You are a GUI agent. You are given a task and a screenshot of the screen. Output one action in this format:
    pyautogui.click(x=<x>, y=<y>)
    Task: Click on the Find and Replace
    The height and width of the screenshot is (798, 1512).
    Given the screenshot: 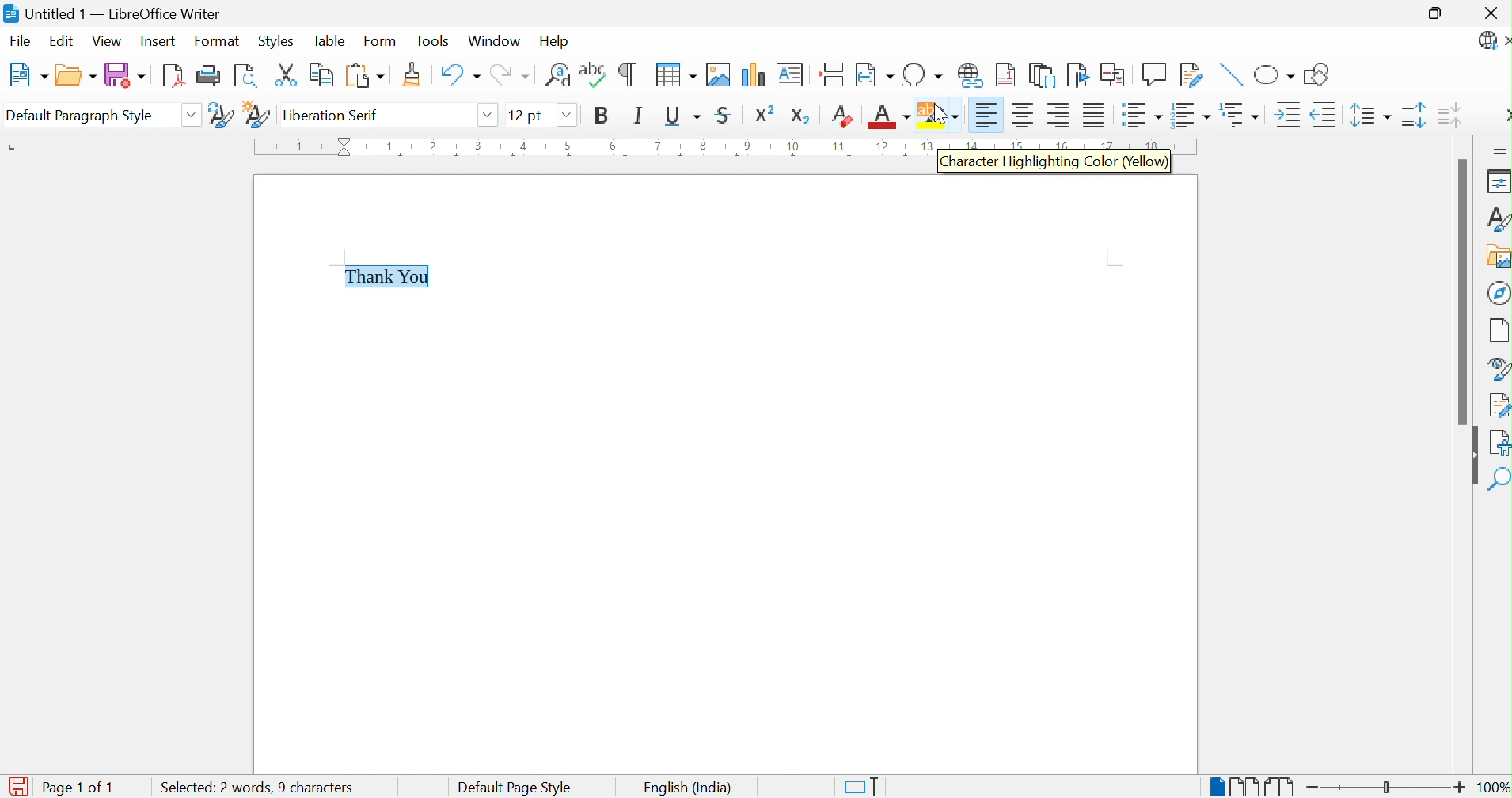 What is the action you would take?
    pyautogui.click(x=557, y=75)
    